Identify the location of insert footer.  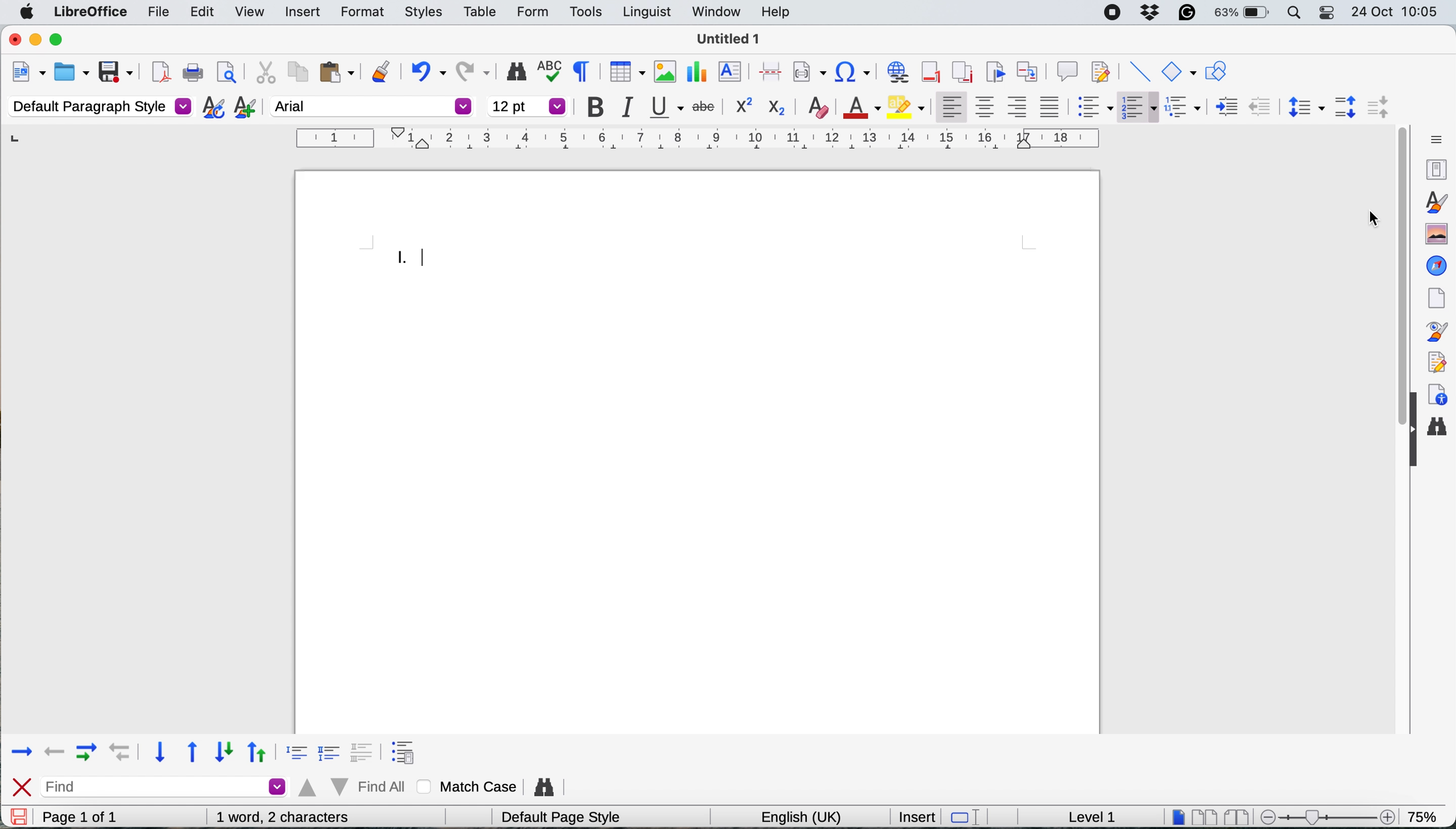
(932, 71).